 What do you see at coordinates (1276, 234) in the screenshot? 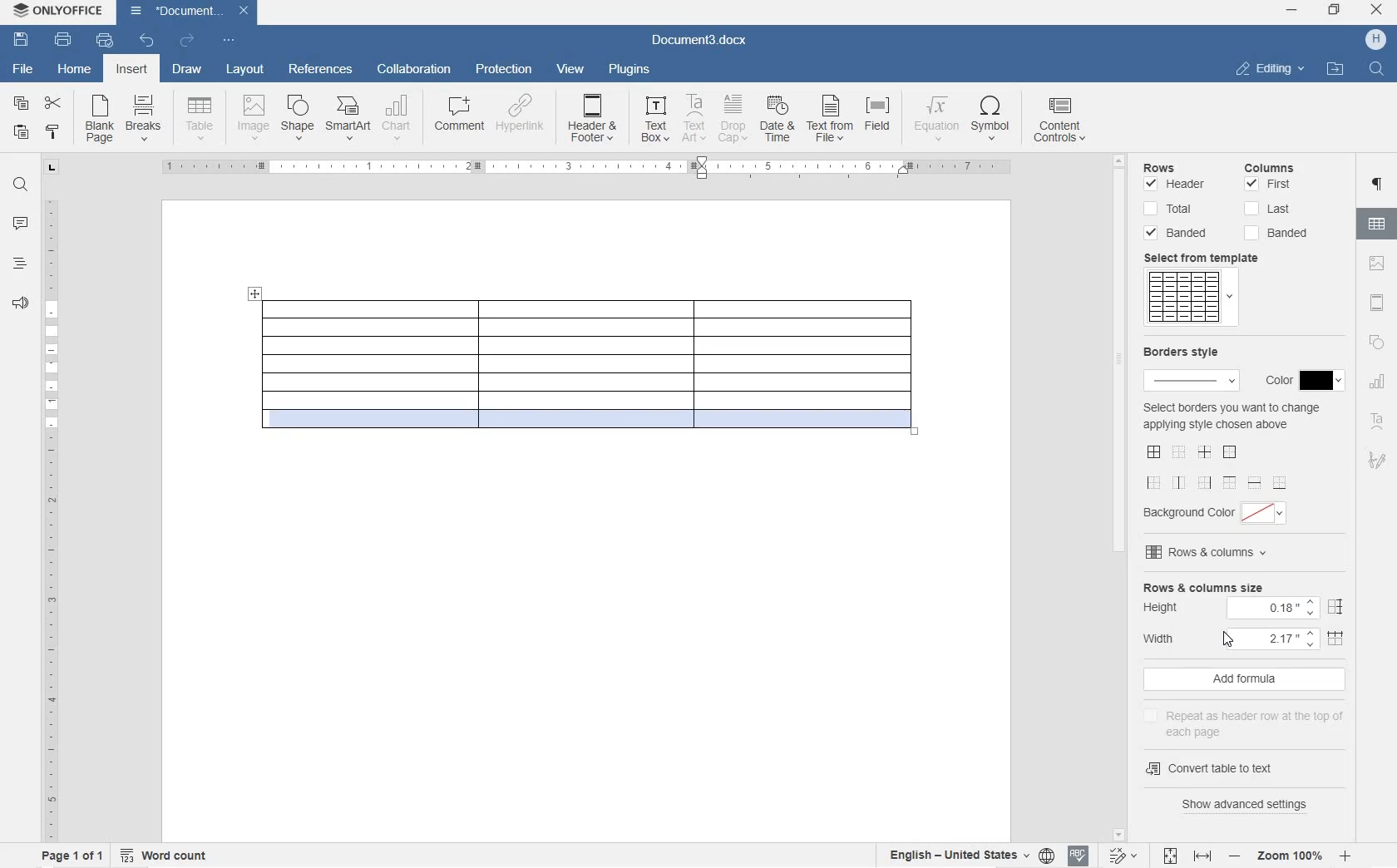
I see `Banded` at bounding box center [1276, 234].